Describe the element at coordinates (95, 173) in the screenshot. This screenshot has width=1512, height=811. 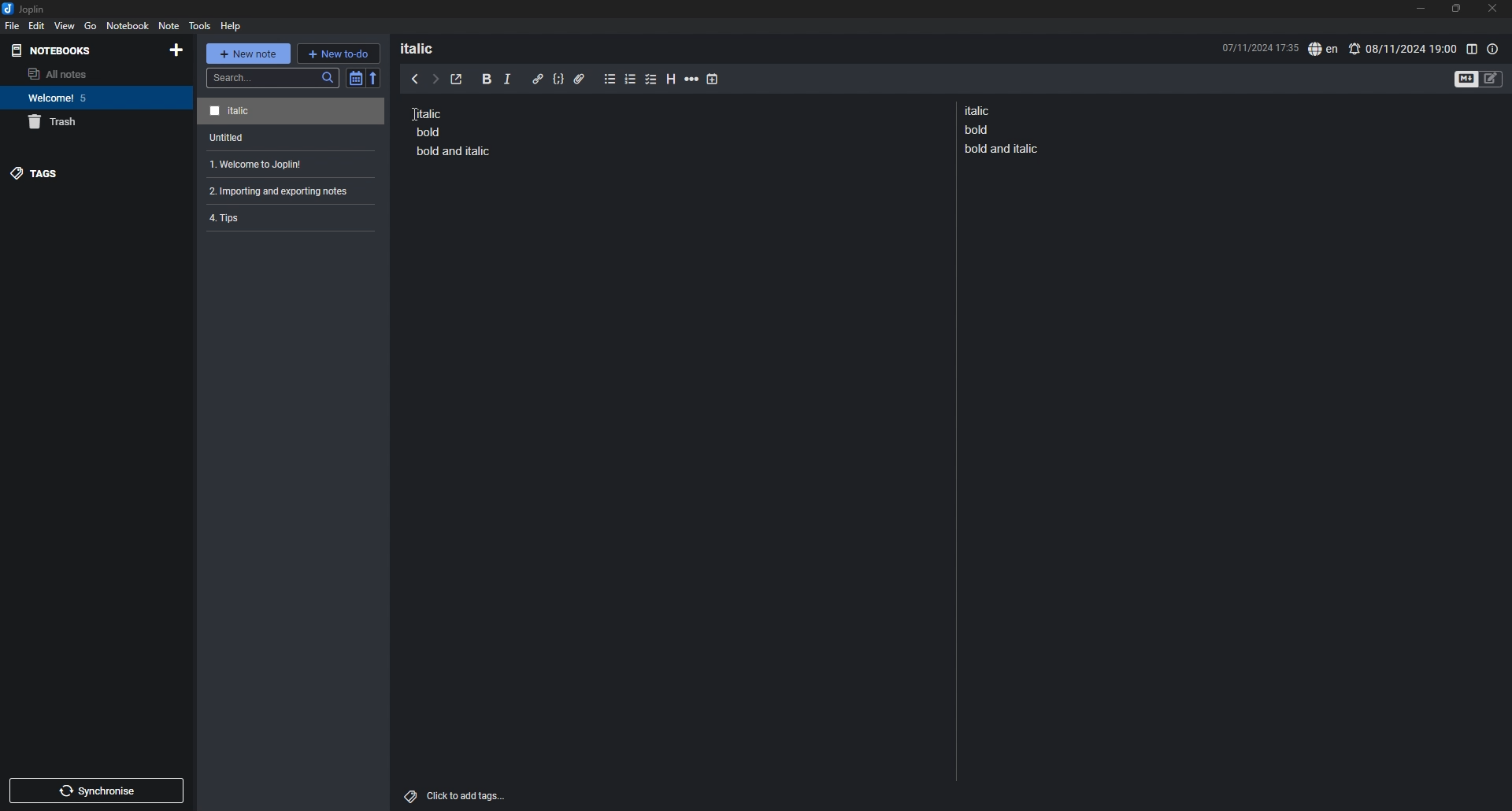
I see `tags` at that location.